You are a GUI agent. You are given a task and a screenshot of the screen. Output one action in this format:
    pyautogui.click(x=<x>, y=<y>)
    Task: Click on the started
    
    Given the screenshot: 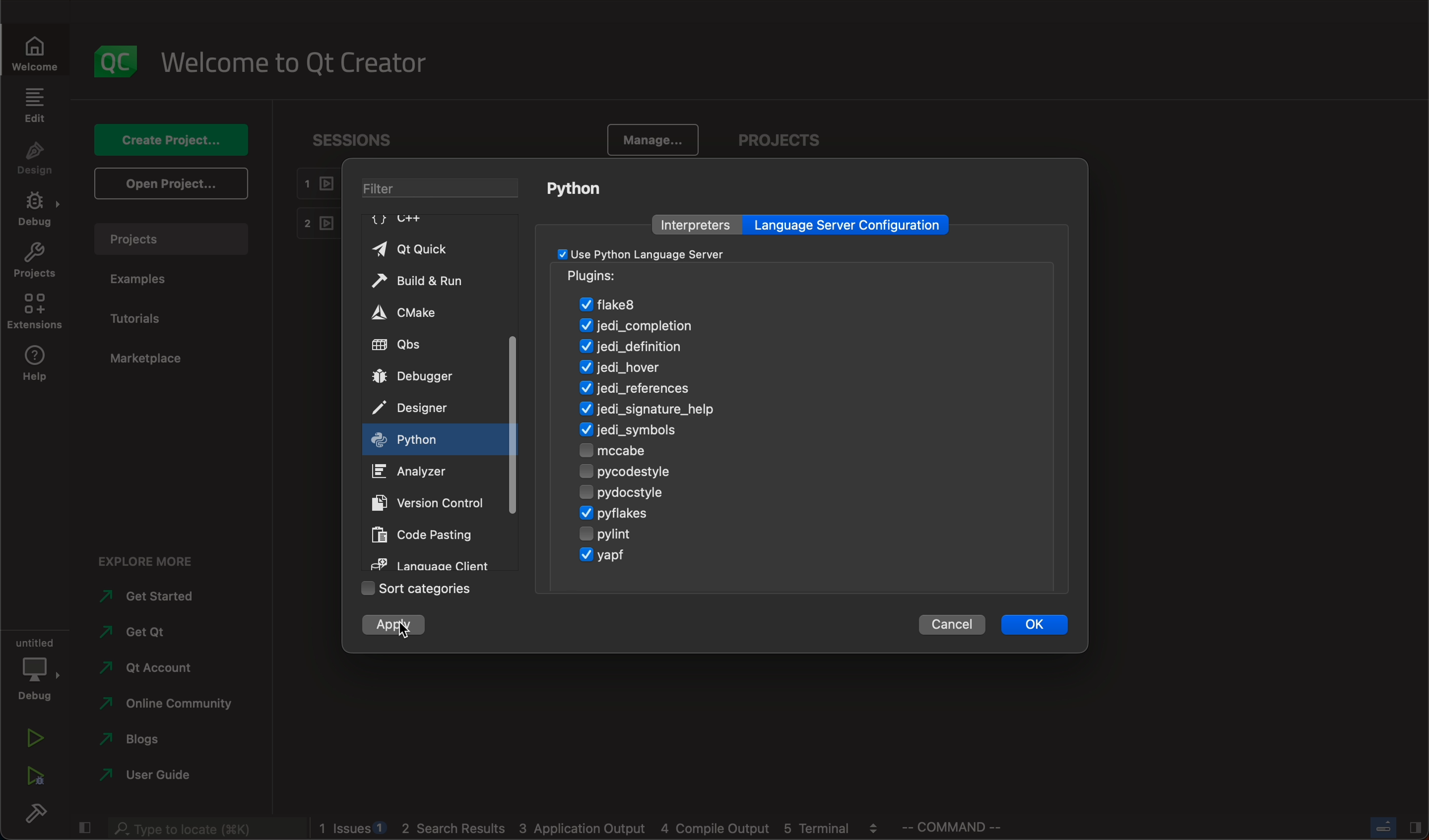 What is the action you would take?
    pyautogui.click(x=154, y=599)
    